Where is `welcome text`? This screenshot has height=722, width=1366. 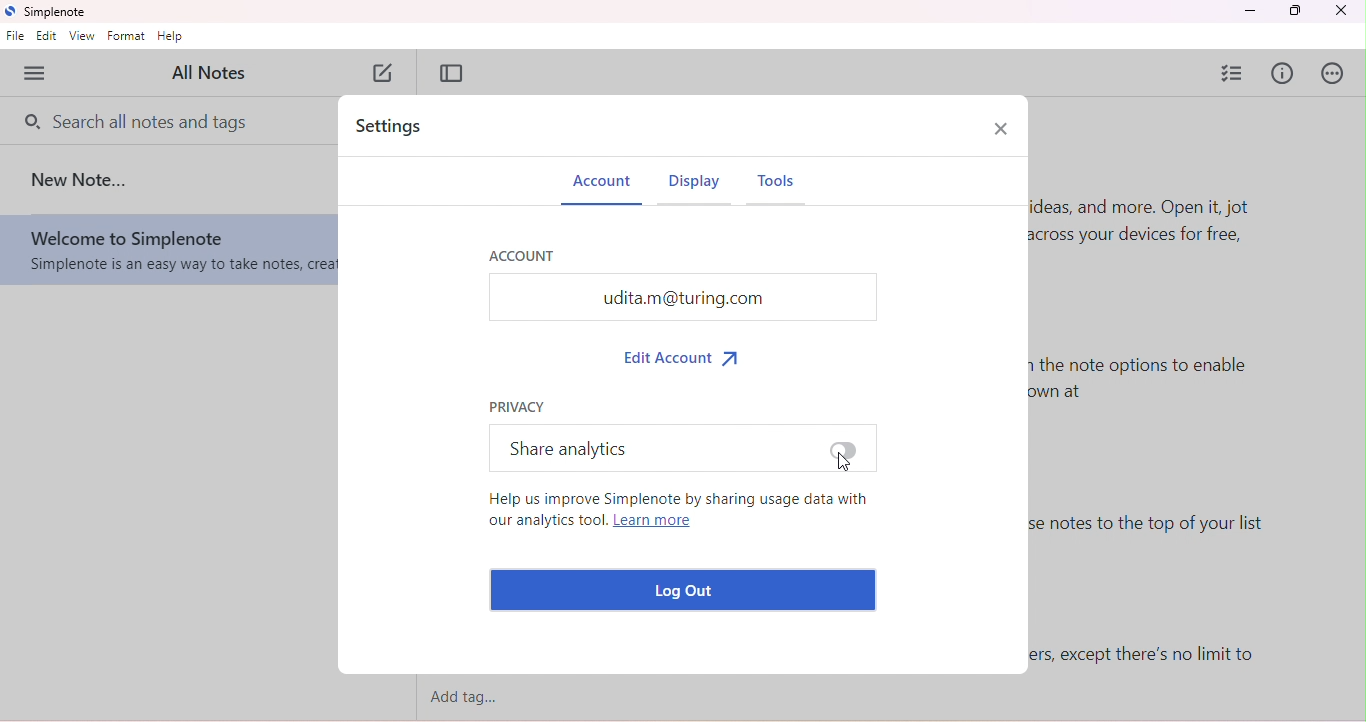 welcome text is located at coordinates (1159, 233).